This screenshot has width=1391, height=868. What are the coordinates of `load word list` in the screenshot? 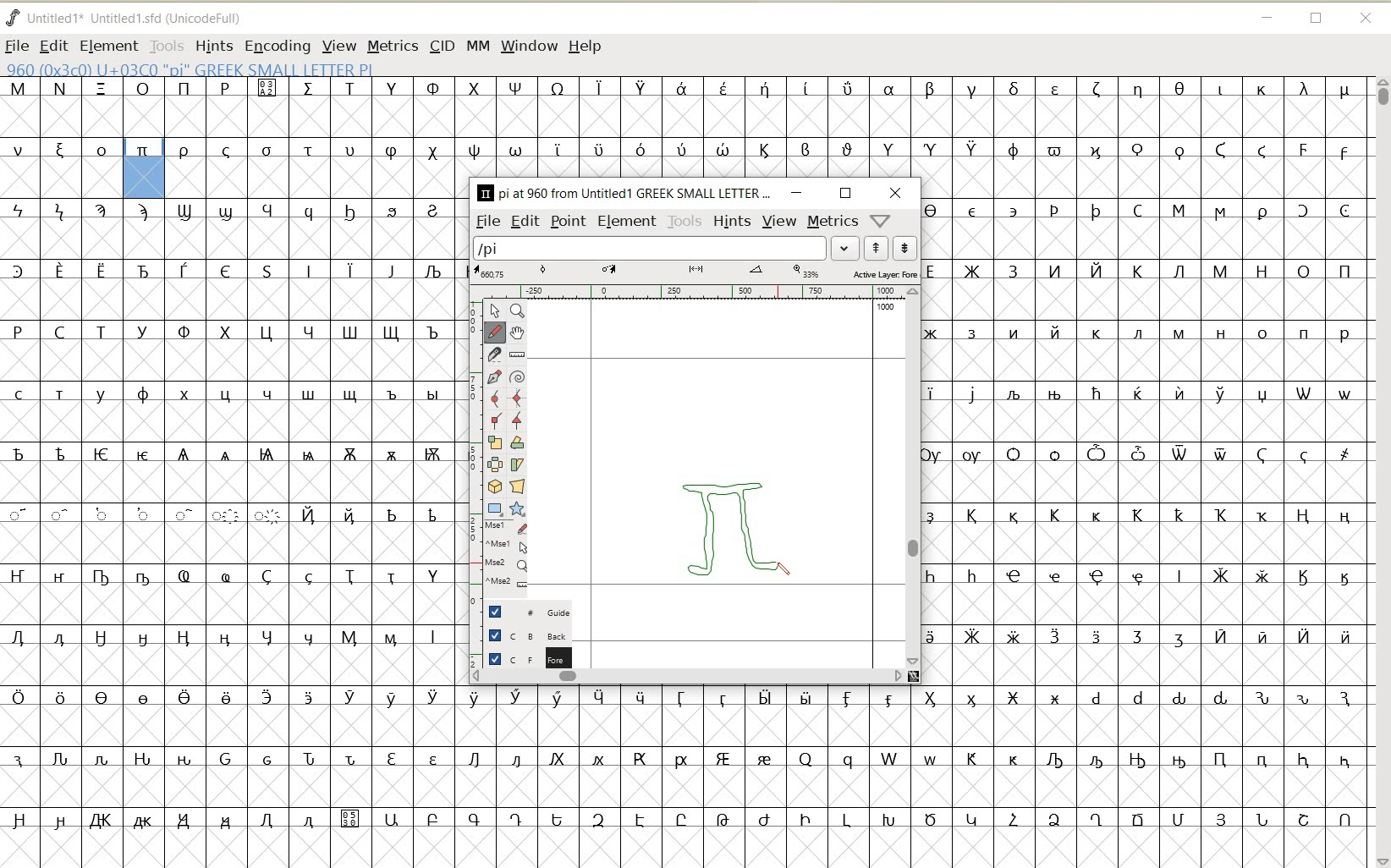 It's located at (666, 247).